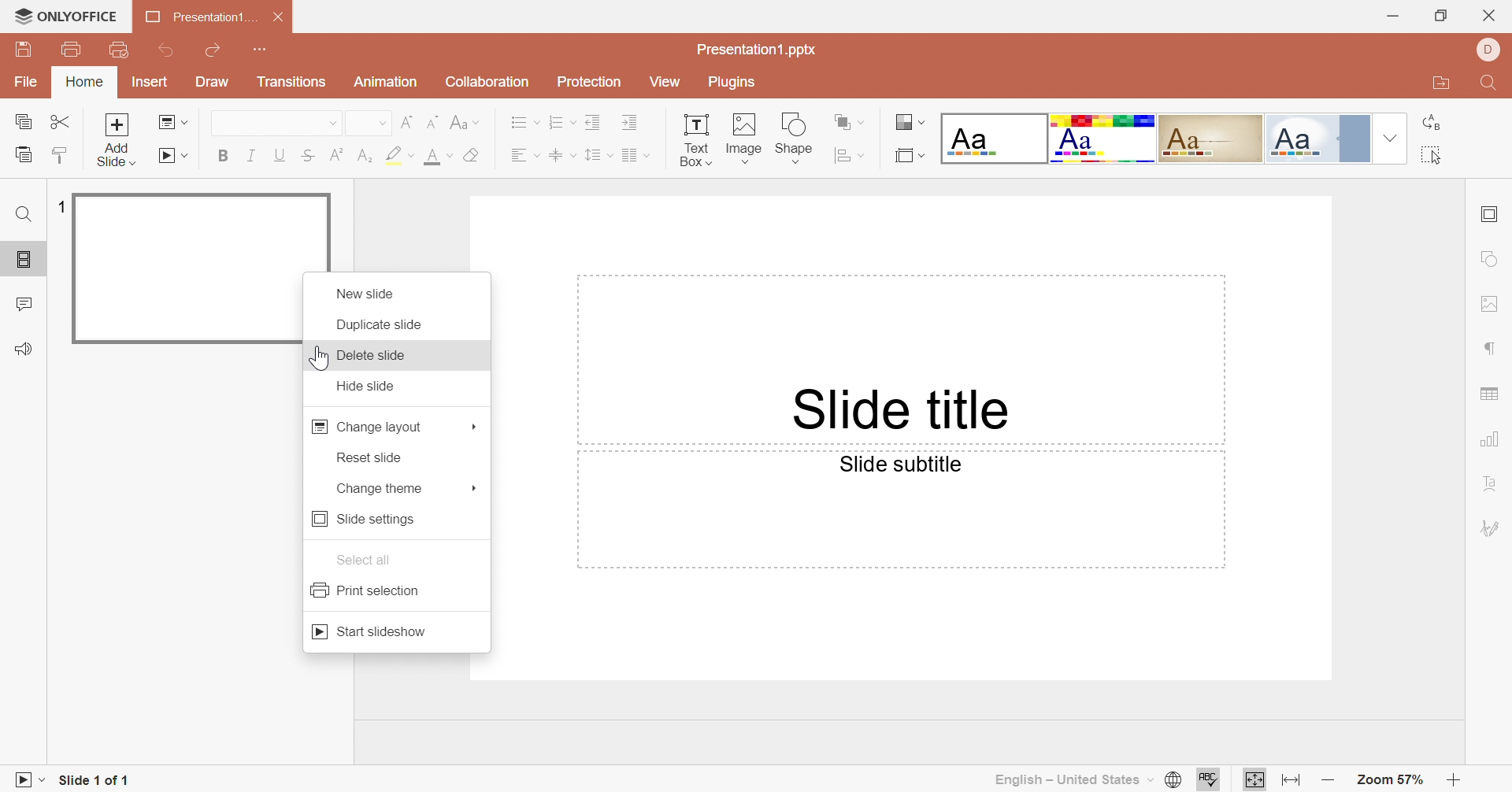 The image size is (1512, 792). What do you see at coordinates (390, 154) in the screenshot?
I see `Highlight color` at bounding box center [390, 154].